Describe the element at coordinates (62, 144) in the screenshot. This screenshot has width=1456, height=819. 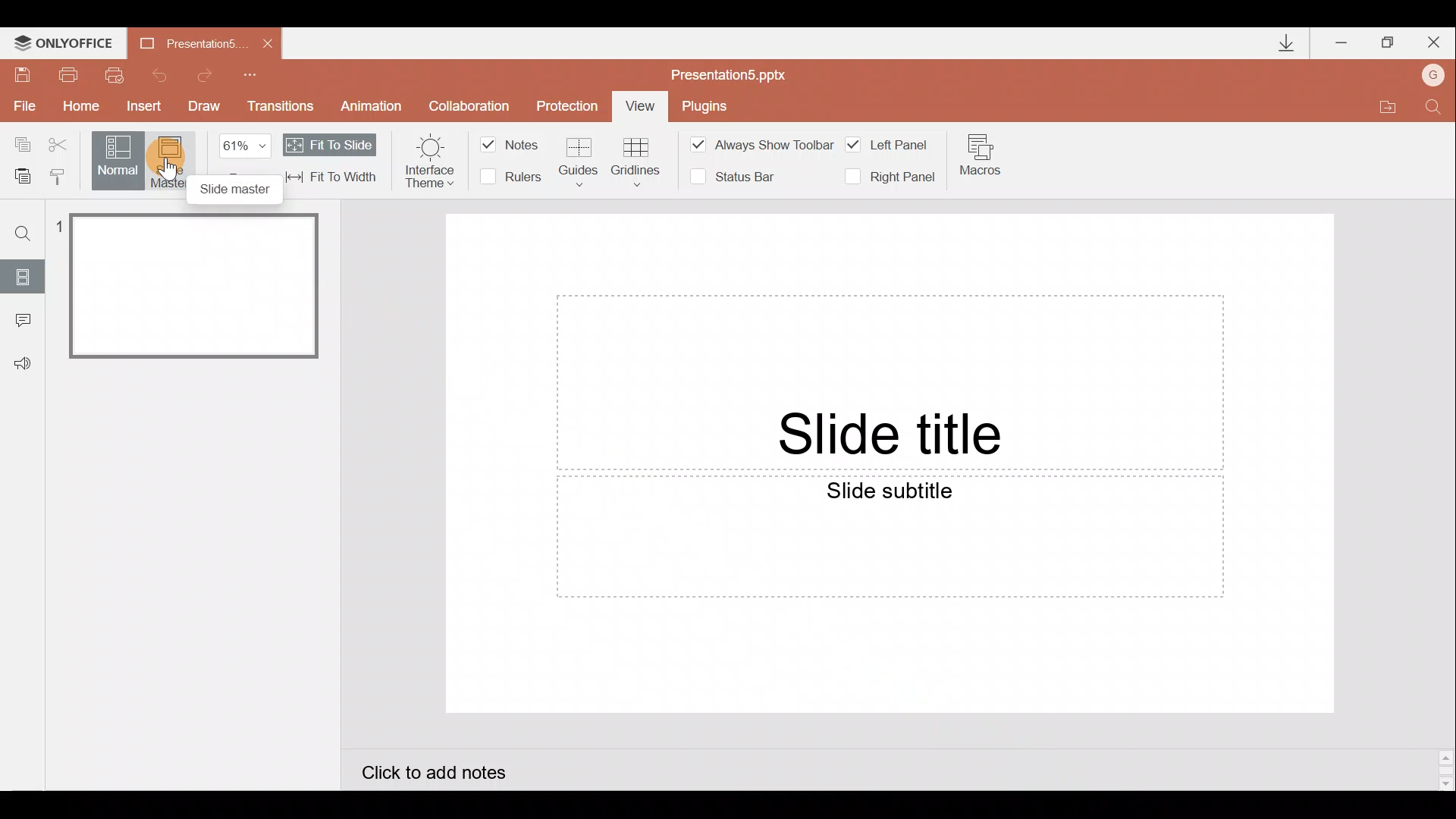
I see `Cut` at that location.